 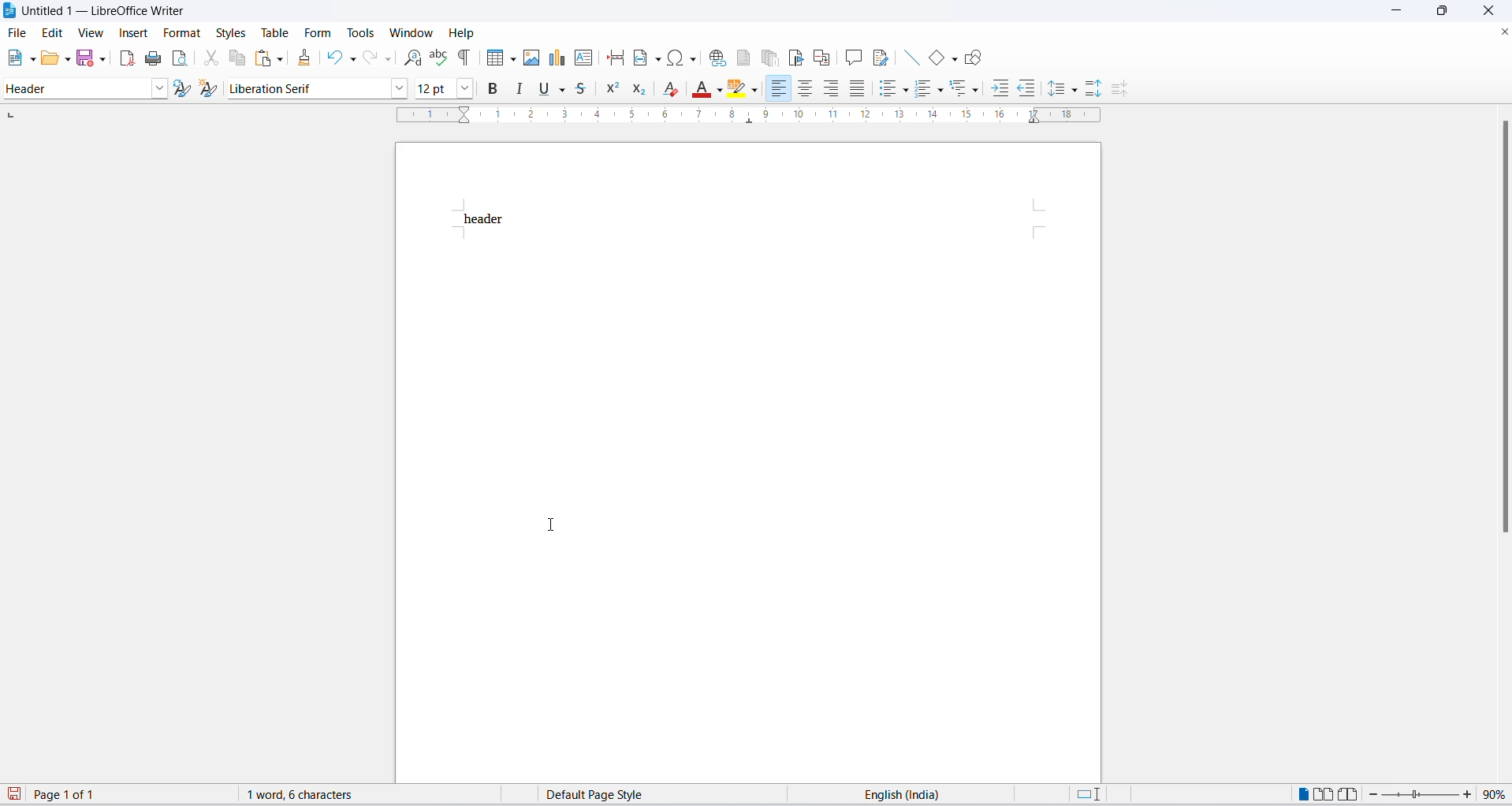 What do you see at coordinates (543, 91) in the screenshot?
I see `underline` at bounding box center [543, 91].